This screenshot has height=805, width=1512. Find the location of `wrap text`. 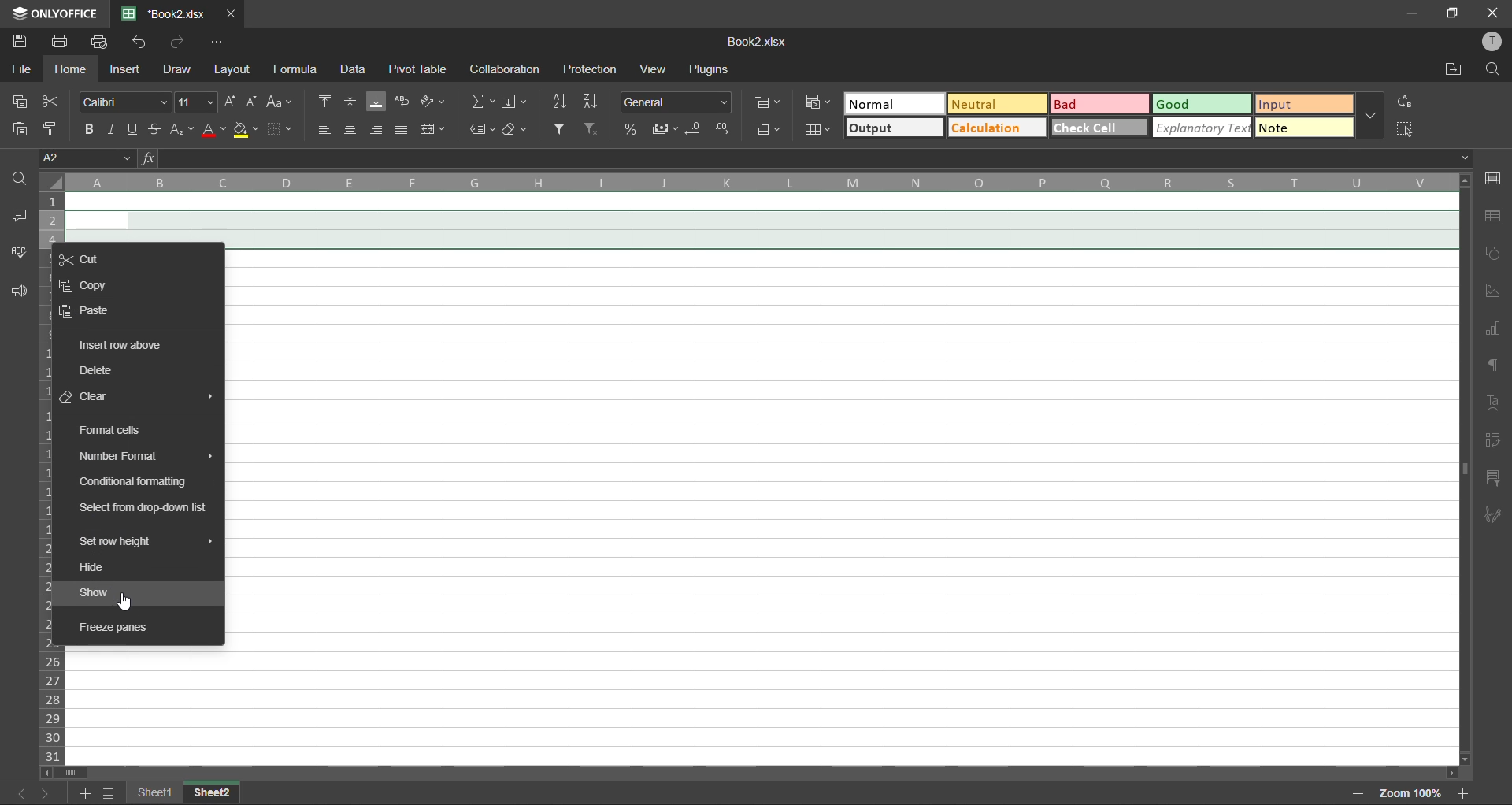

wrap text is located at coordinates (402, 101).